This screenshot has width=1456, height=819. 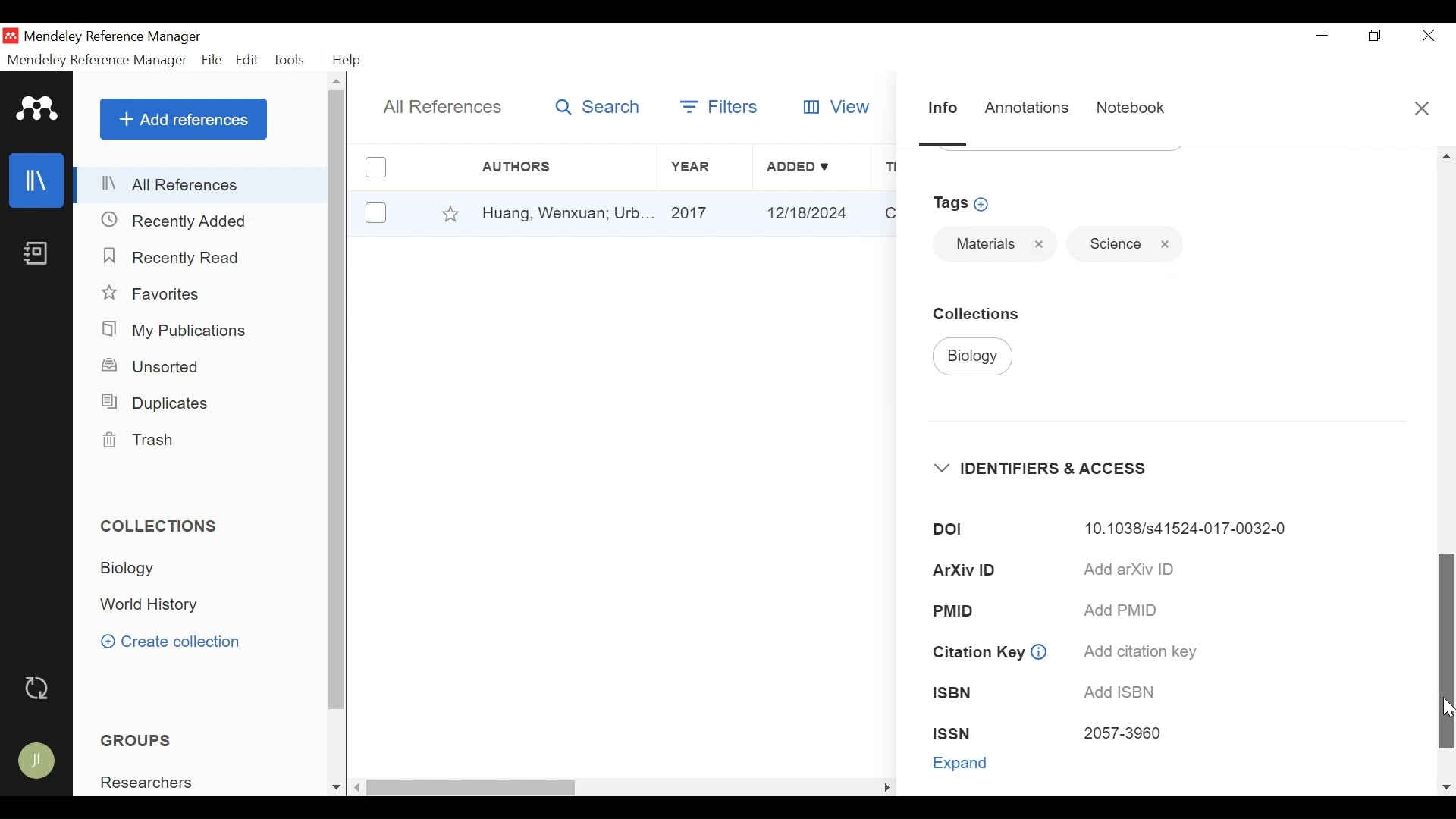 What do you see at coordinates (37, 109) in the screenshot?
I see `Mendeley ` at bounding box center [37, 109].